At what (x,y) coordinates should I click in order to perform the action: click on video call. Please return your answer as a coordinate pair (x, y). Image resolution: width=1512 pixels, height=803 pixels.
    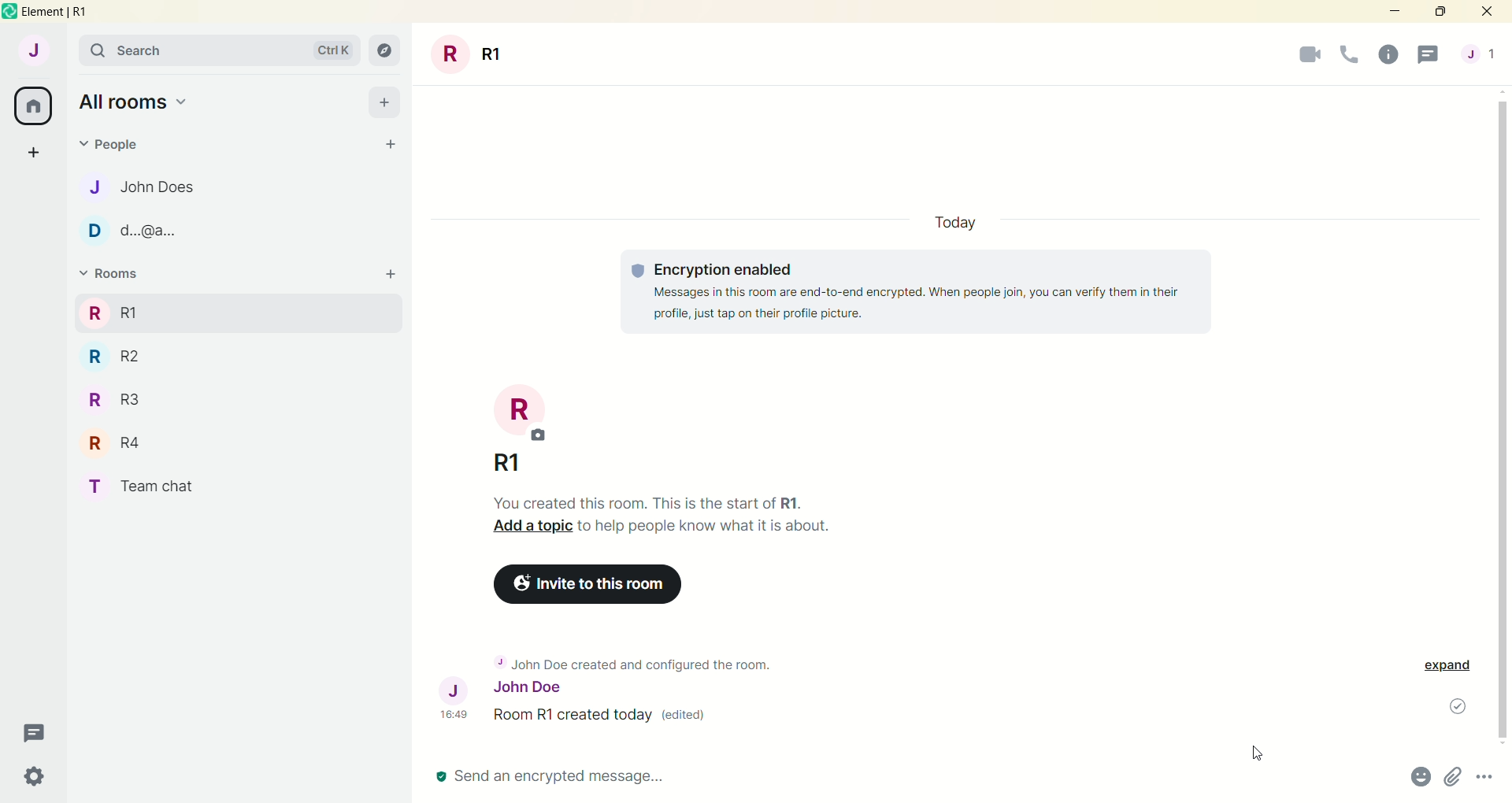
    Looking at the image, I should click on (1308, 56).